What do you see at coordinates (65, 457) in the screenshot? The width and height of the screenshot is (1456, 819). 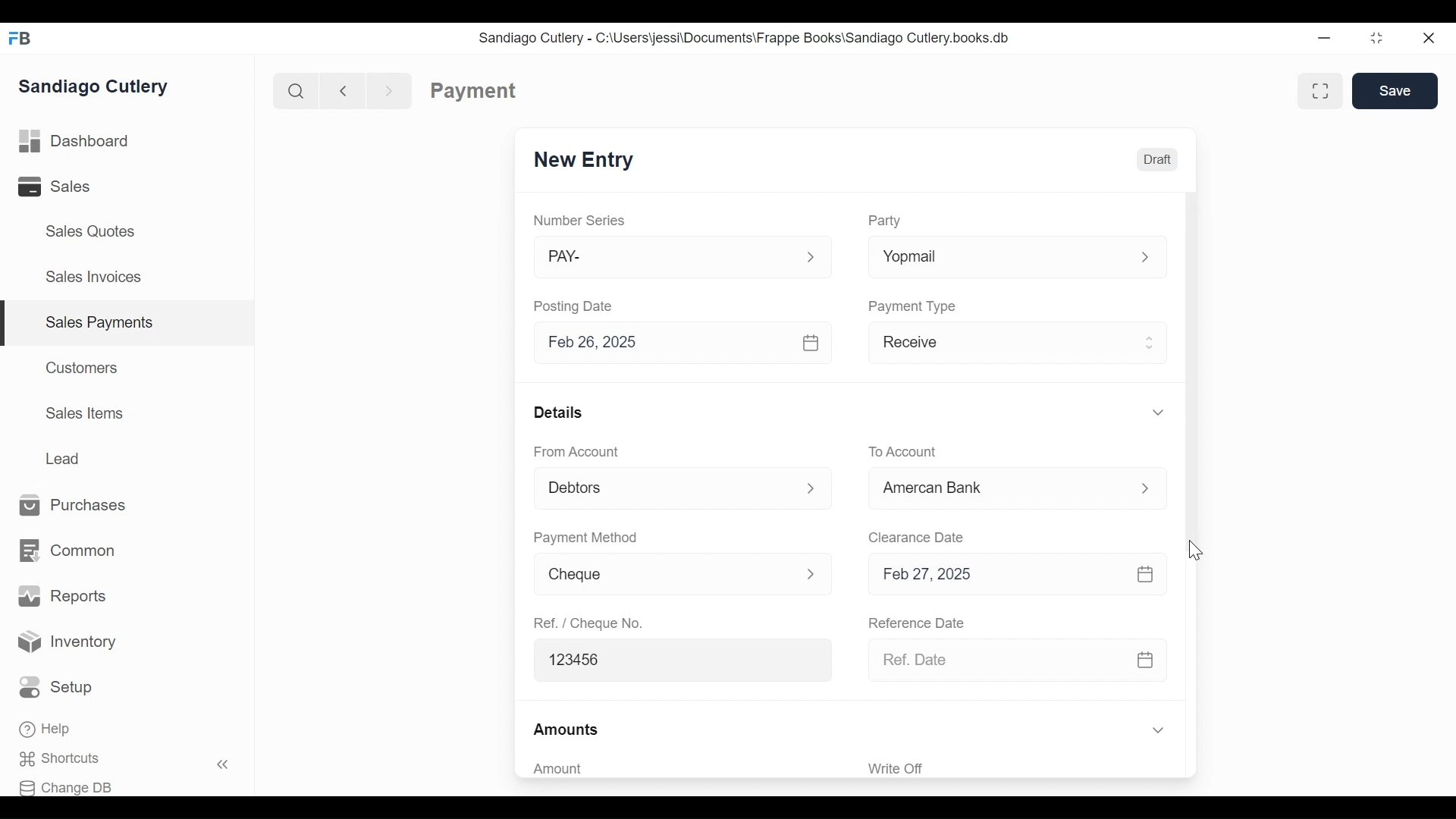 I see `Lead` at bounding box center [65, 457].